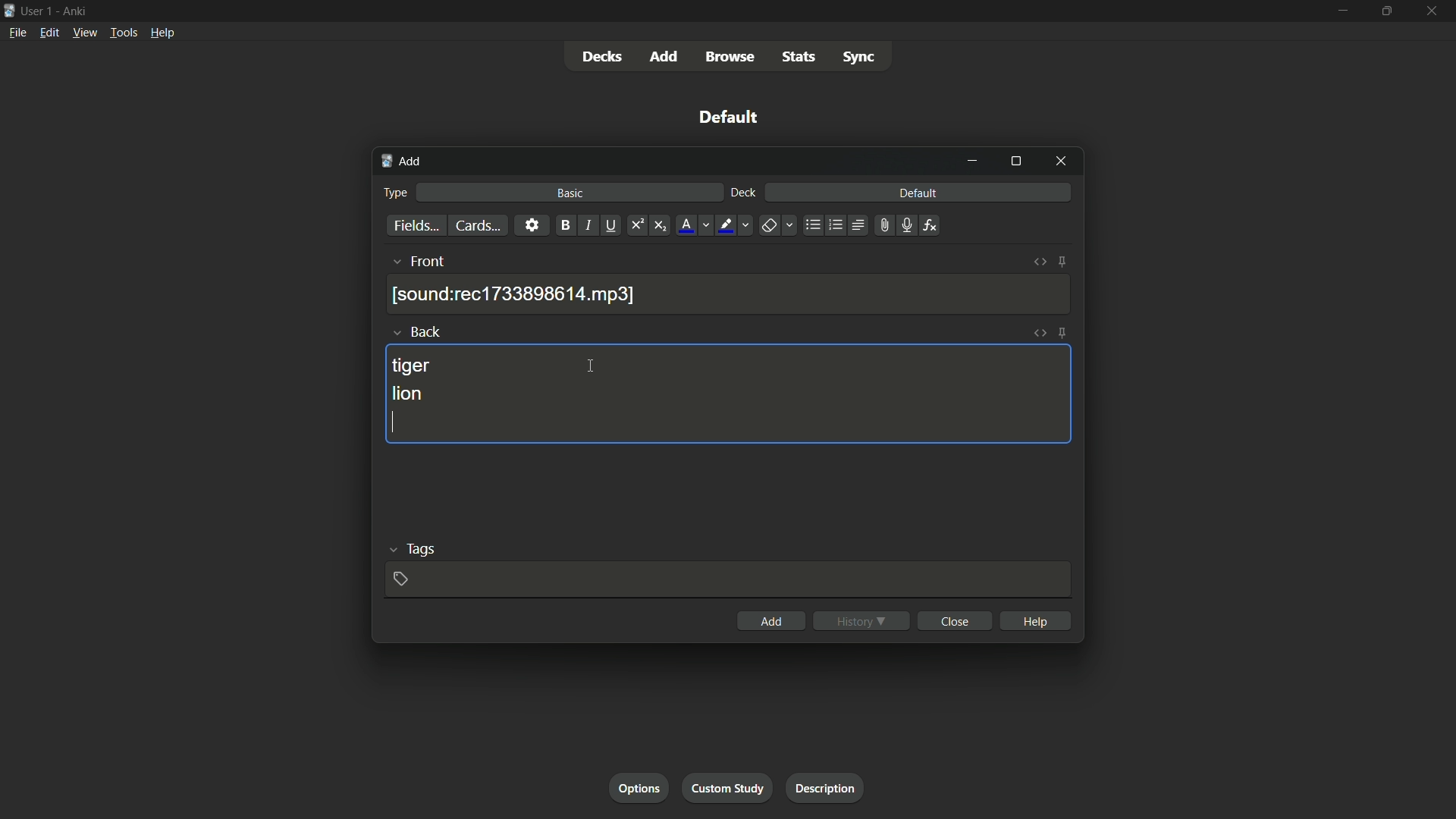 This screenshot has height=819, width=1456. I want to click on maximize, so click(1387, 11).